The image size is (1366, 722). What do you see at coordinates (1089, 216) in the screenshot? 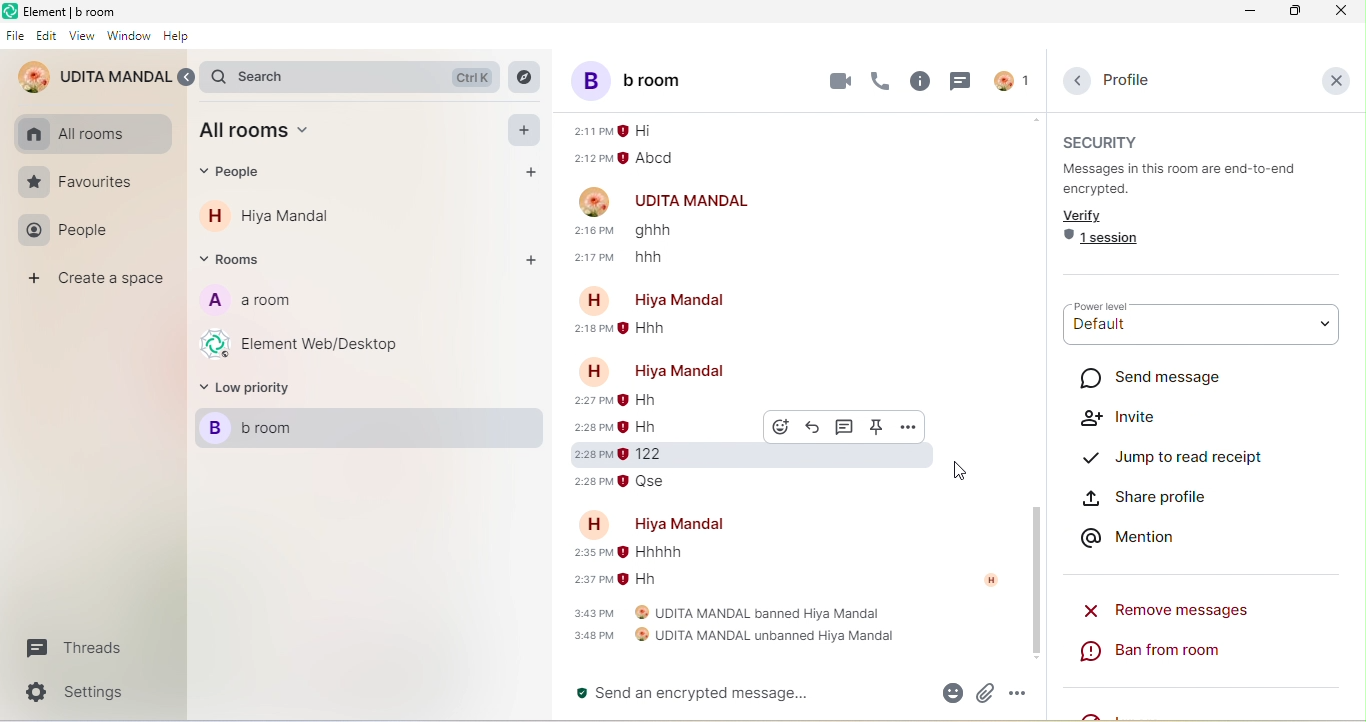
I see `verify` at bounding box center [1089, 216].